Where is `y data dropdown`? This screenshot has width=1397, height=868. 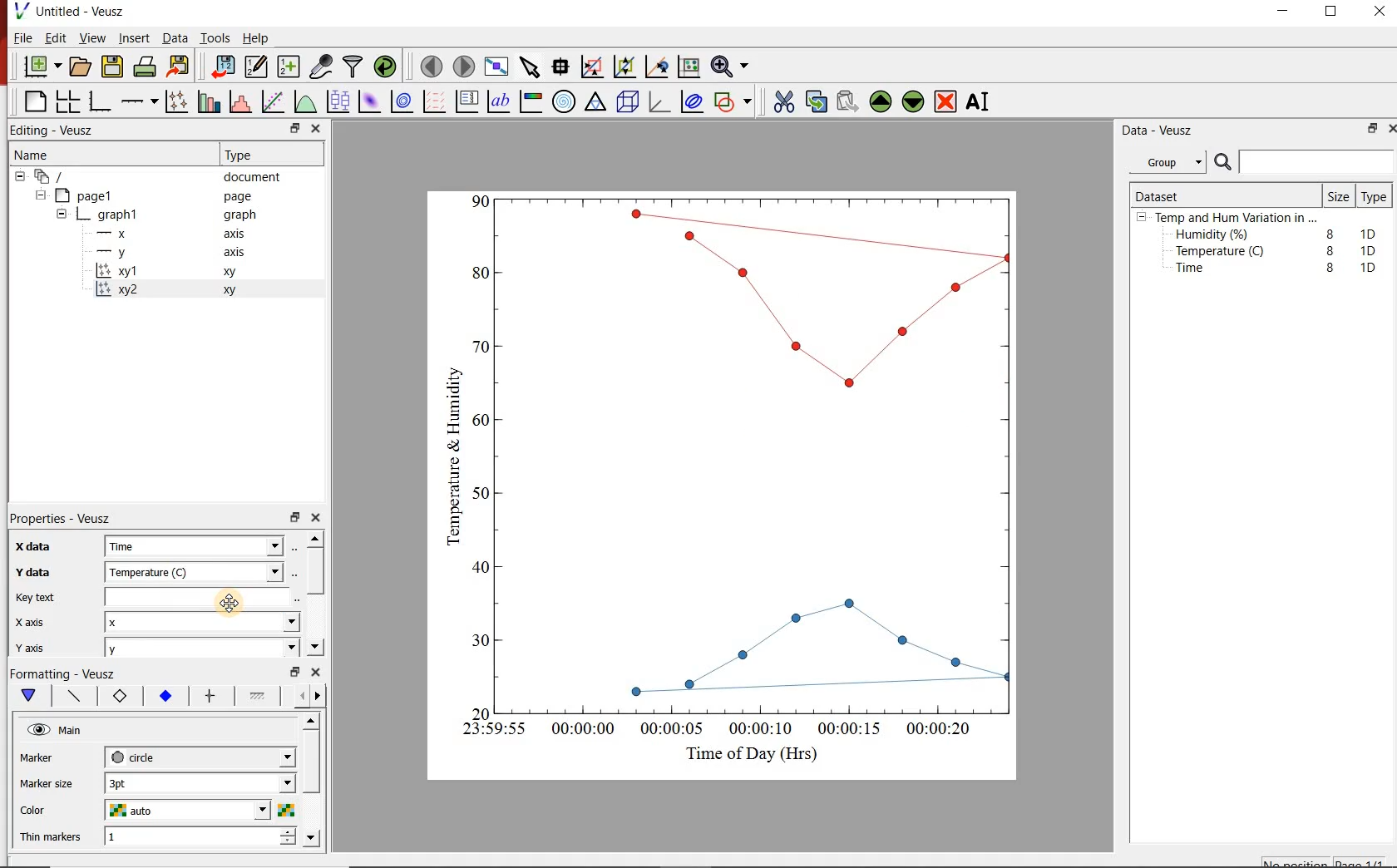 y data dropdown is located at coordinates (249, 572).